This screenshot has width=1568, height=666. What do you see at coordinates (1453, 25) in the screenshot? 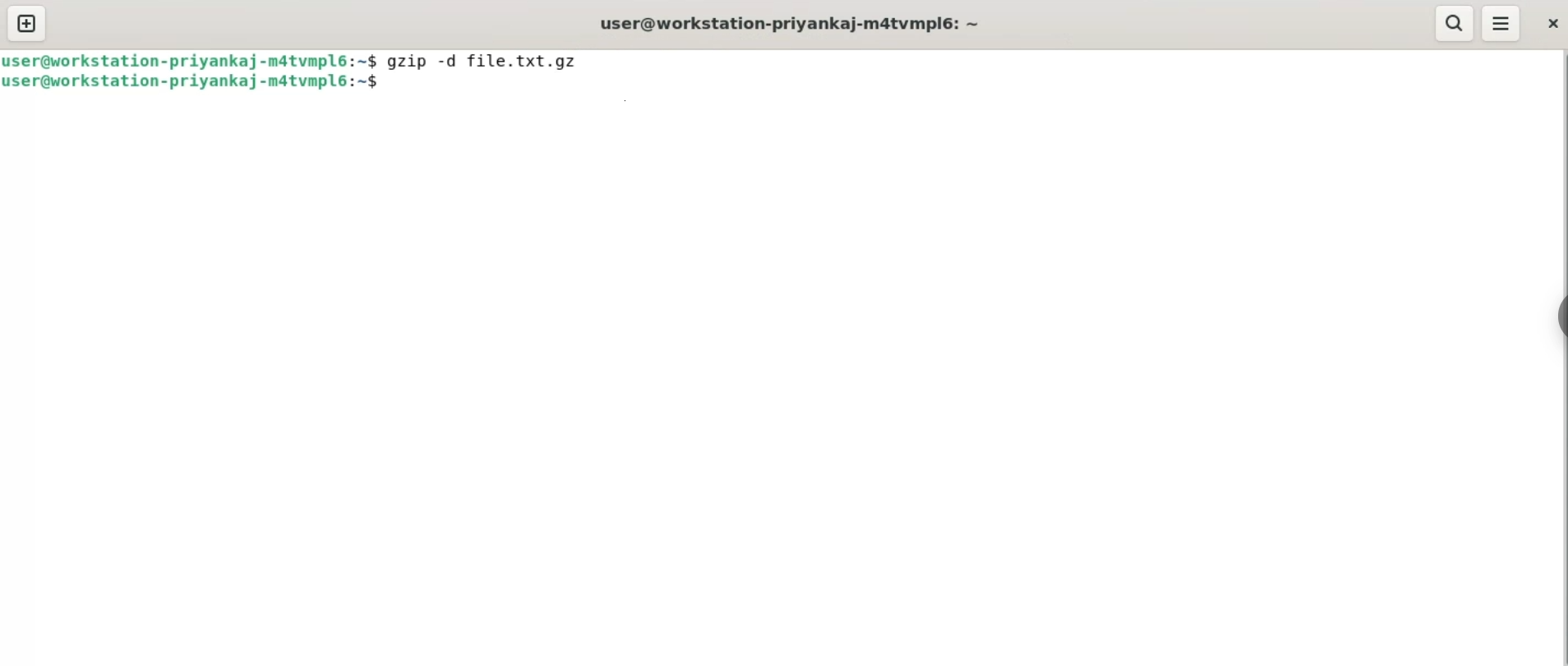
I see `search` at bounding box center [1453, 25].